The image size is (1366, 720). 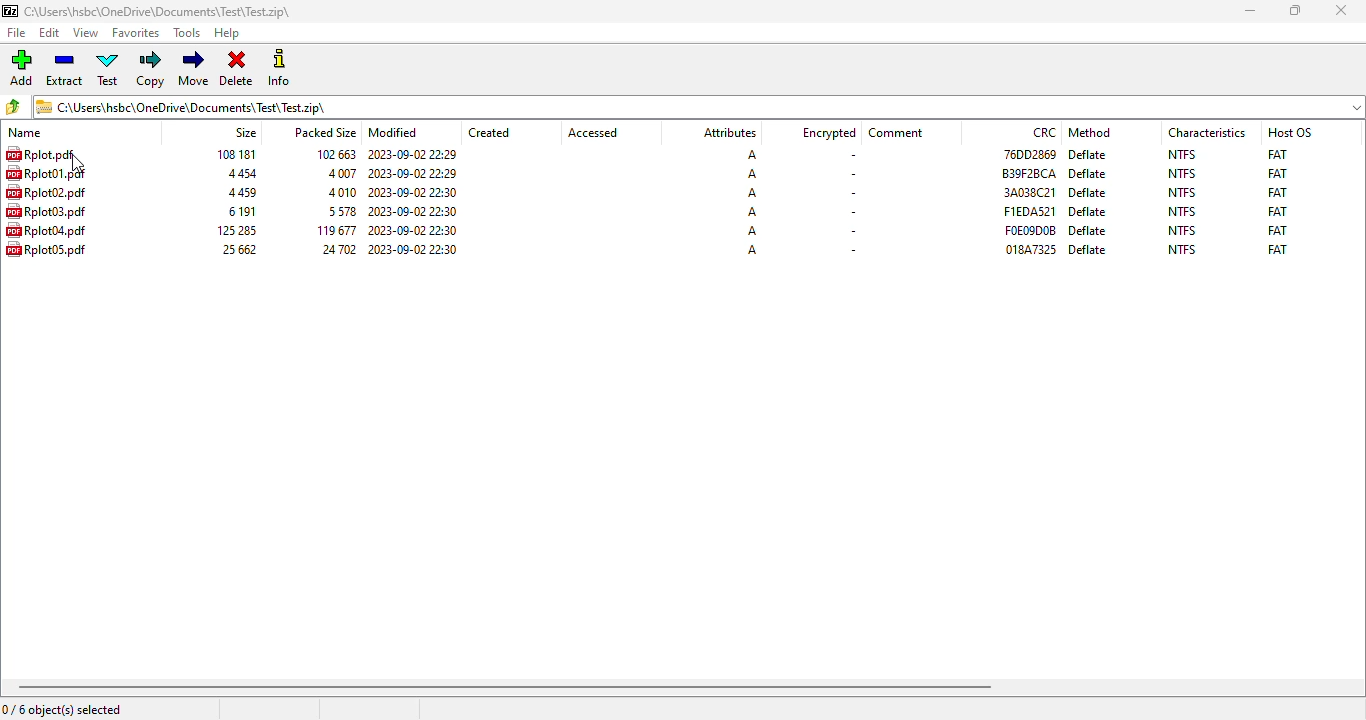 What do you see at coordinates (46, 192) in the screenshot?
I see `file` at bounding box center [46, 192].